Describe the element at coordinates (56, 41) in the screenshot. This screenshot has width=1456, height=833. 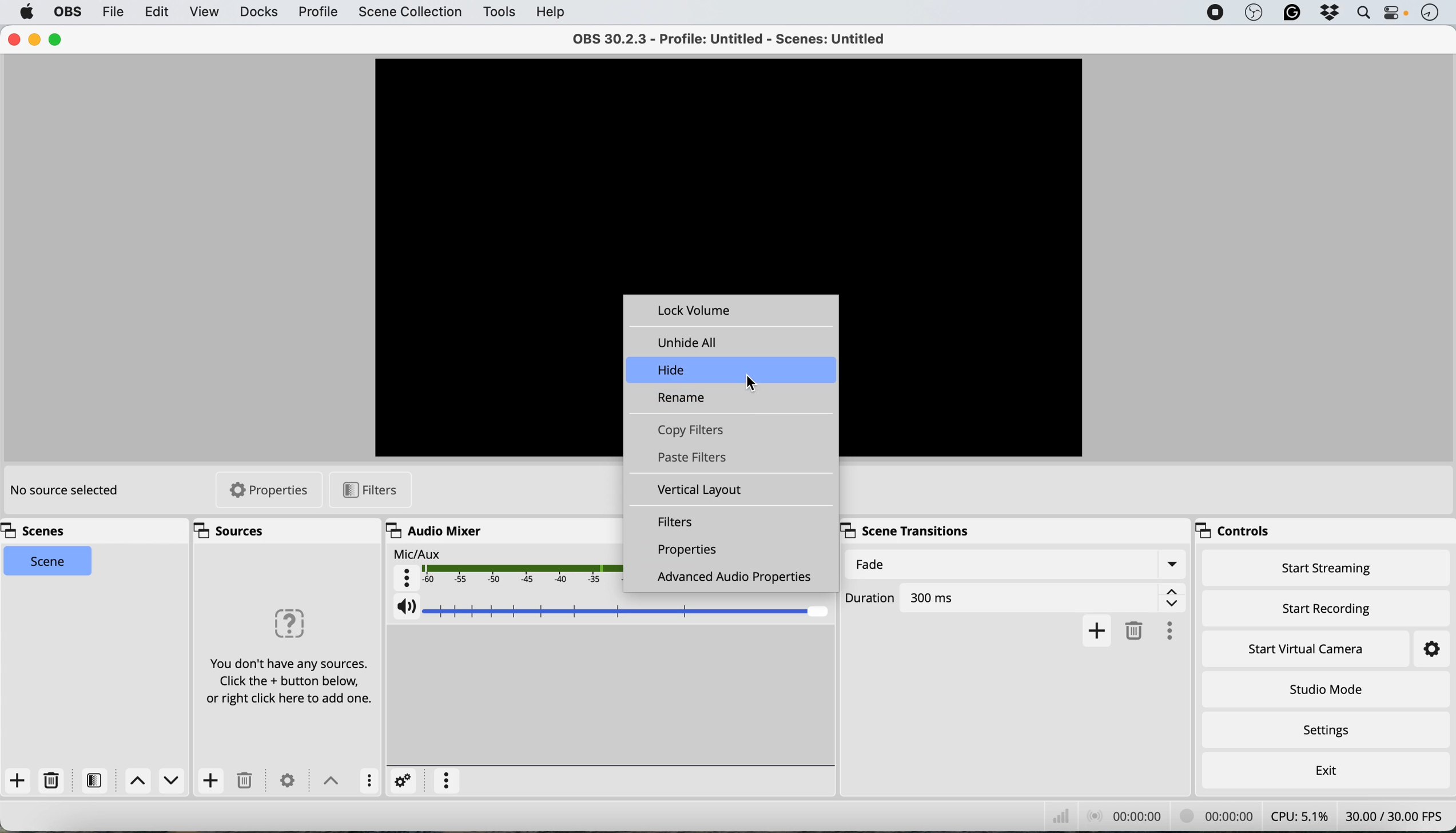
I see `maximise` at that location.